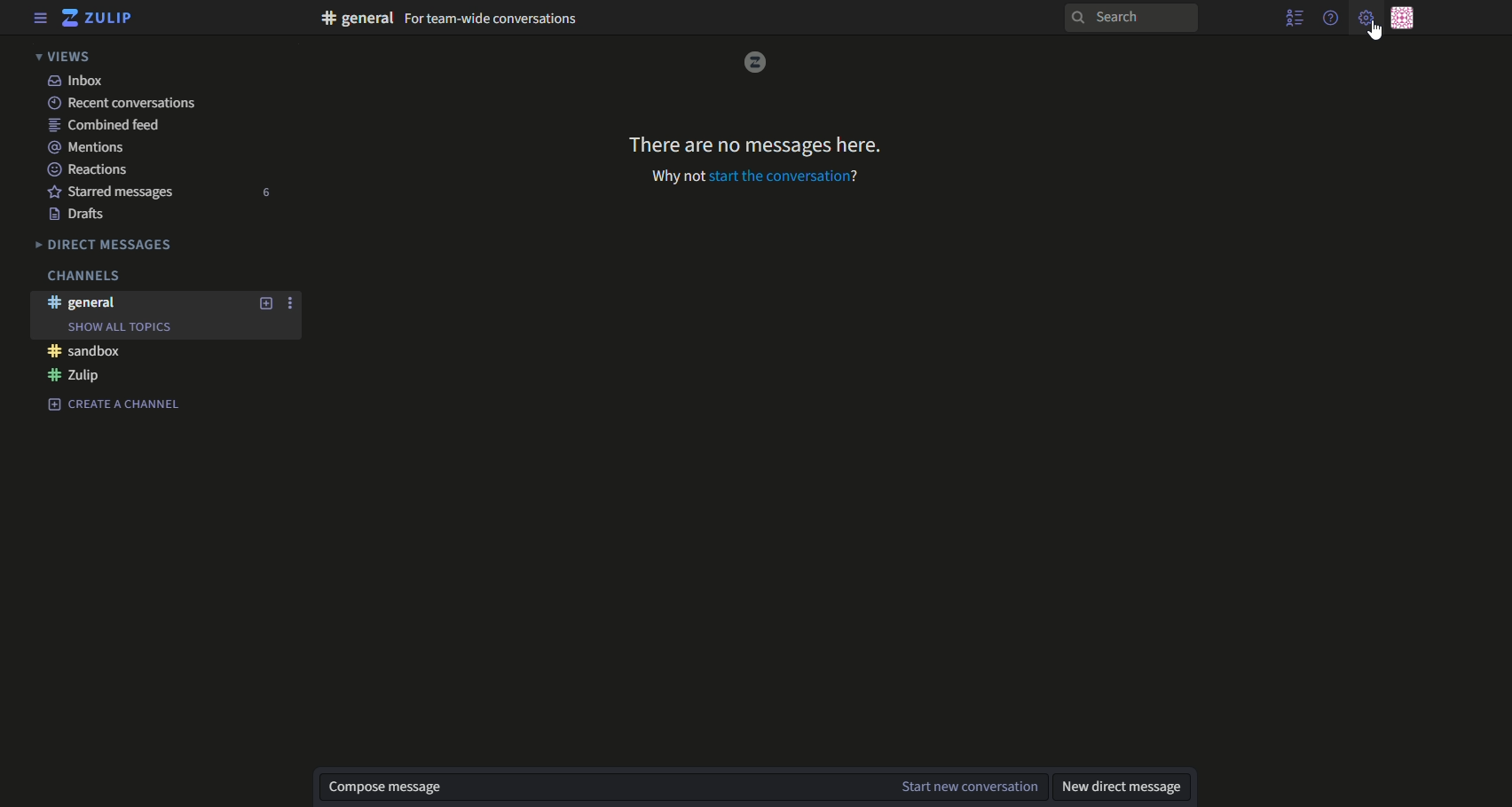 The image size is (1512, 807). I want to click on combined feed, so click(108, 124).